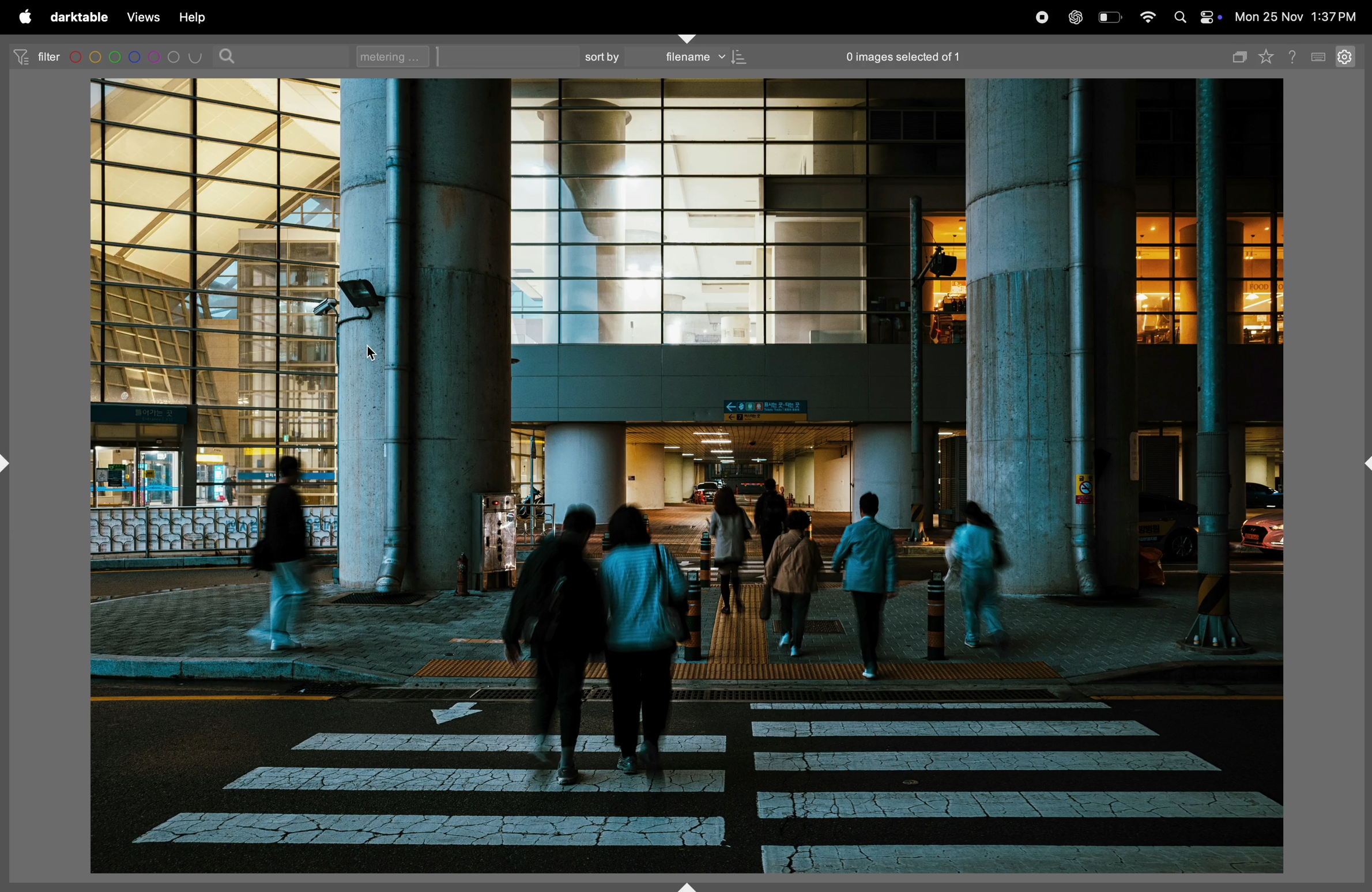 The width and height of the screenshot is (1372, 892). Describe the element at coordinates (137, 56) in the screenshot. I see `color code` at that location.